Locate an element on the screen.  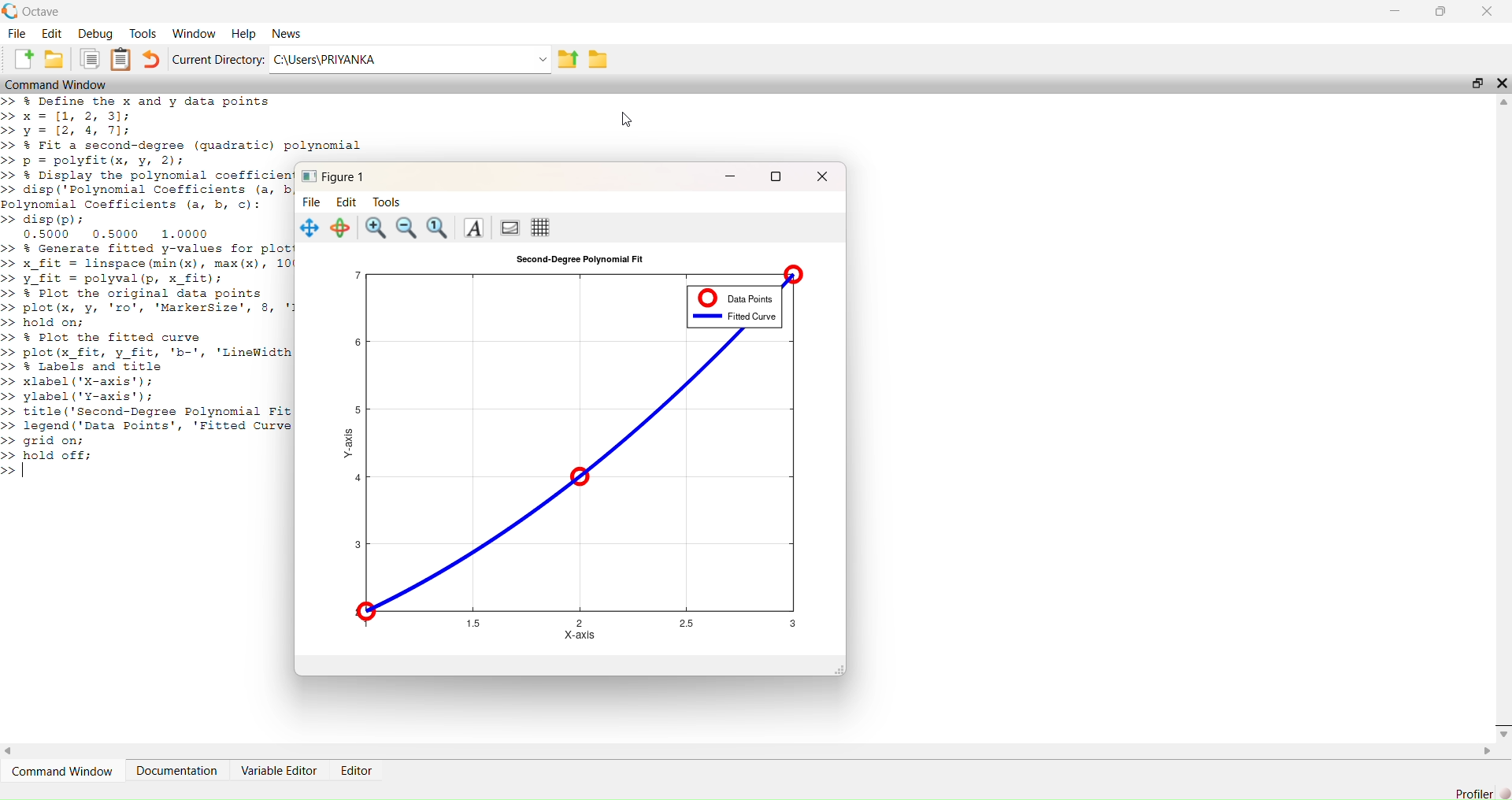
Command Window is located at coordinates (61, 770).